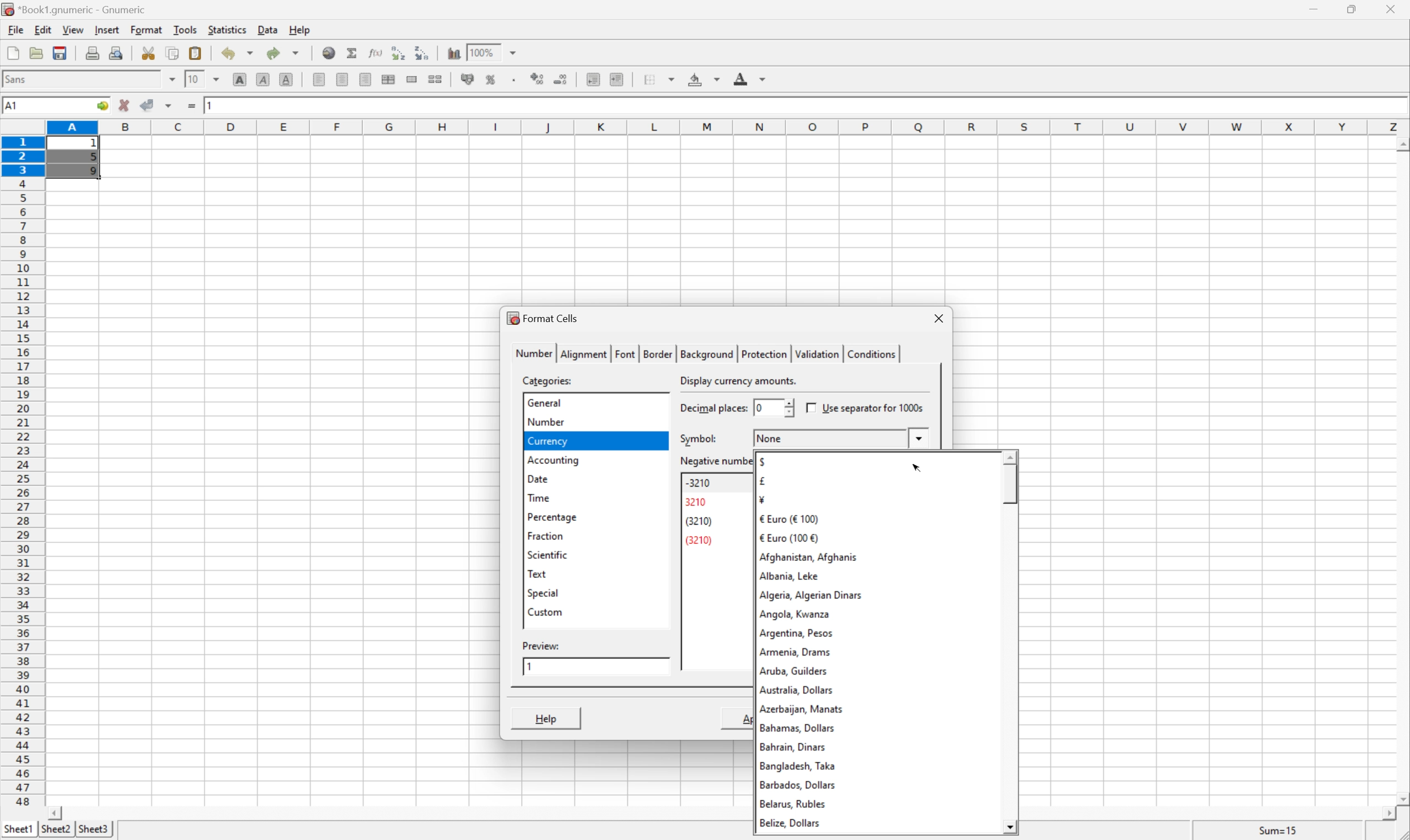  Describe the element at coordinates (93, 830) in the screenshot. I see `sheet3` at that location.